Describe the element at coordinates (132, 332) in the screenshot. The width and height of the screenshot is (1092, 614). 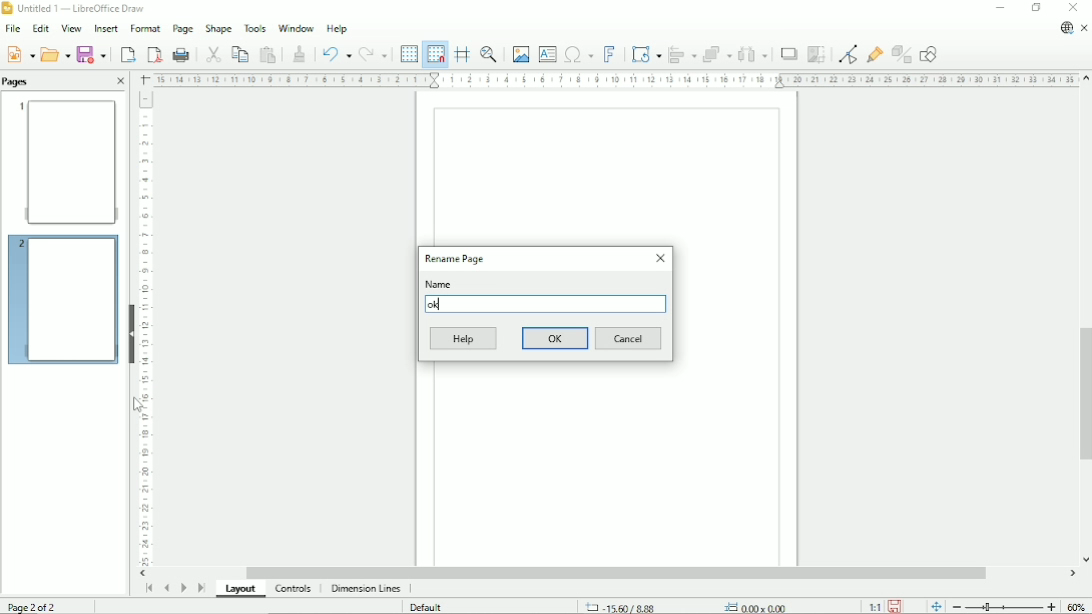
I see `Hide` at that location.